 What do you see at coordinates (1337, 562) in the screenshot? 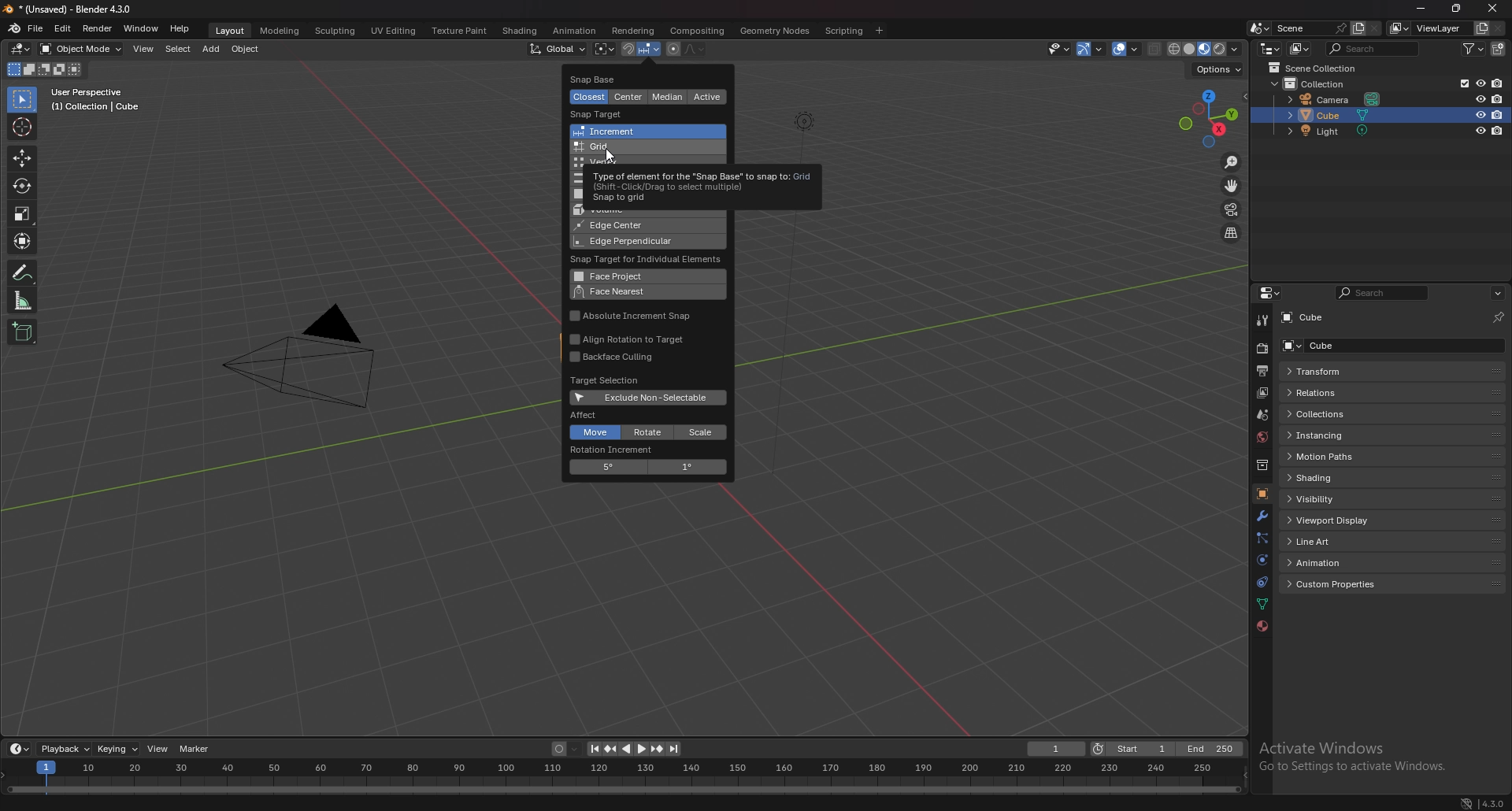
I see `animation` at bounding box center [1337, 562].